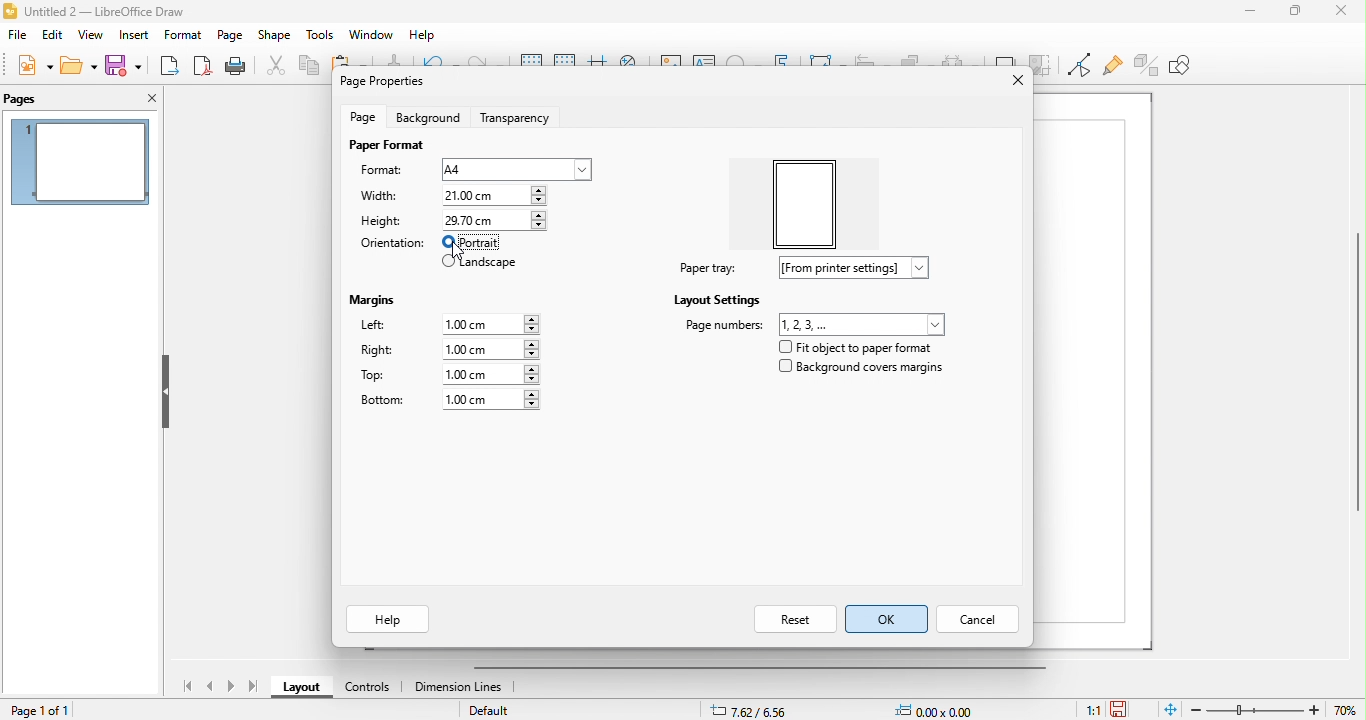  What do you see at coordinates (1288, 13) in the screenshot?
I see `maximize` at bounding box center [1288, 13].